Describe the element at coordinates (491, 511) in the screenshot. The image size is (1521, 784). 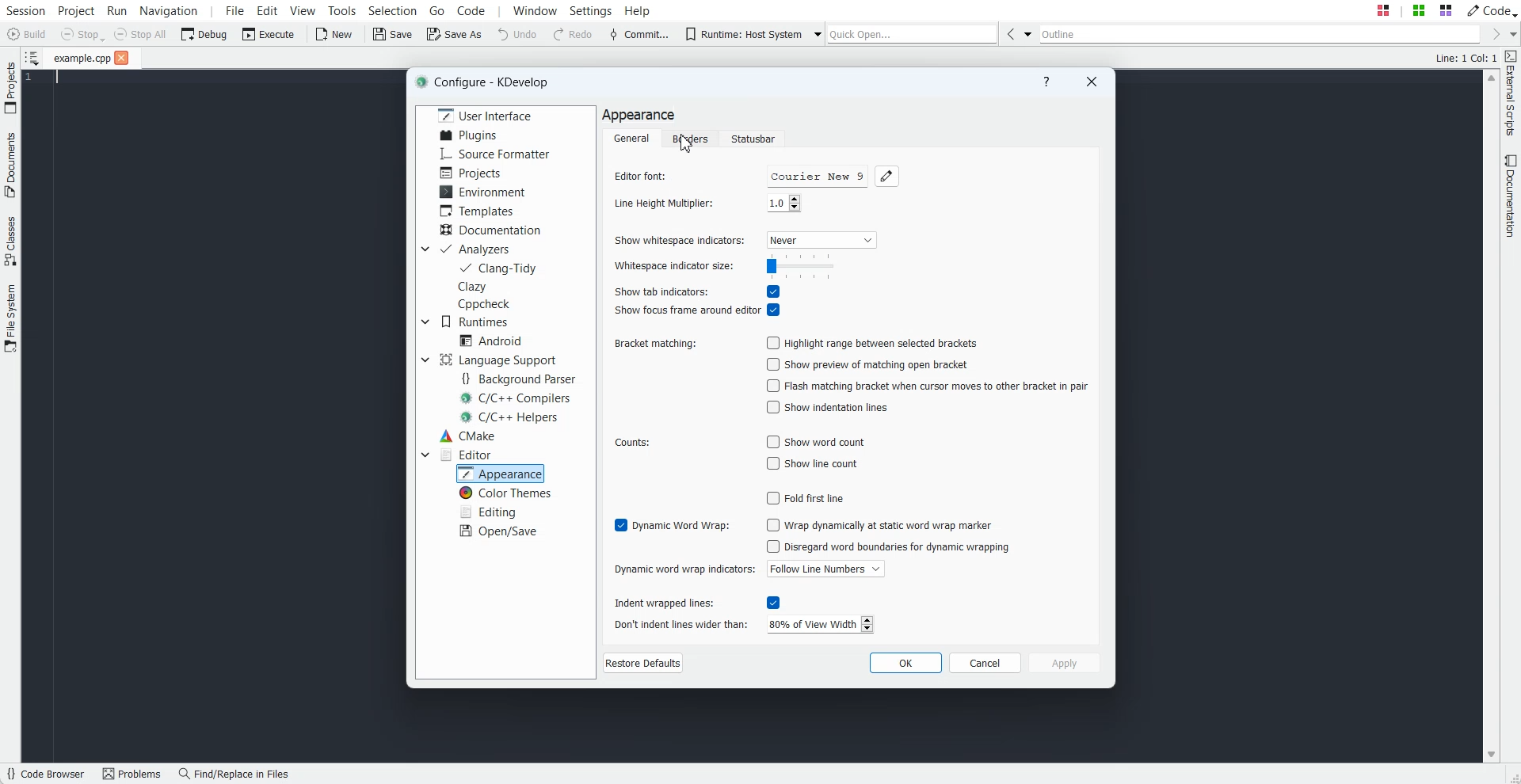
I see `Editing` at that location.